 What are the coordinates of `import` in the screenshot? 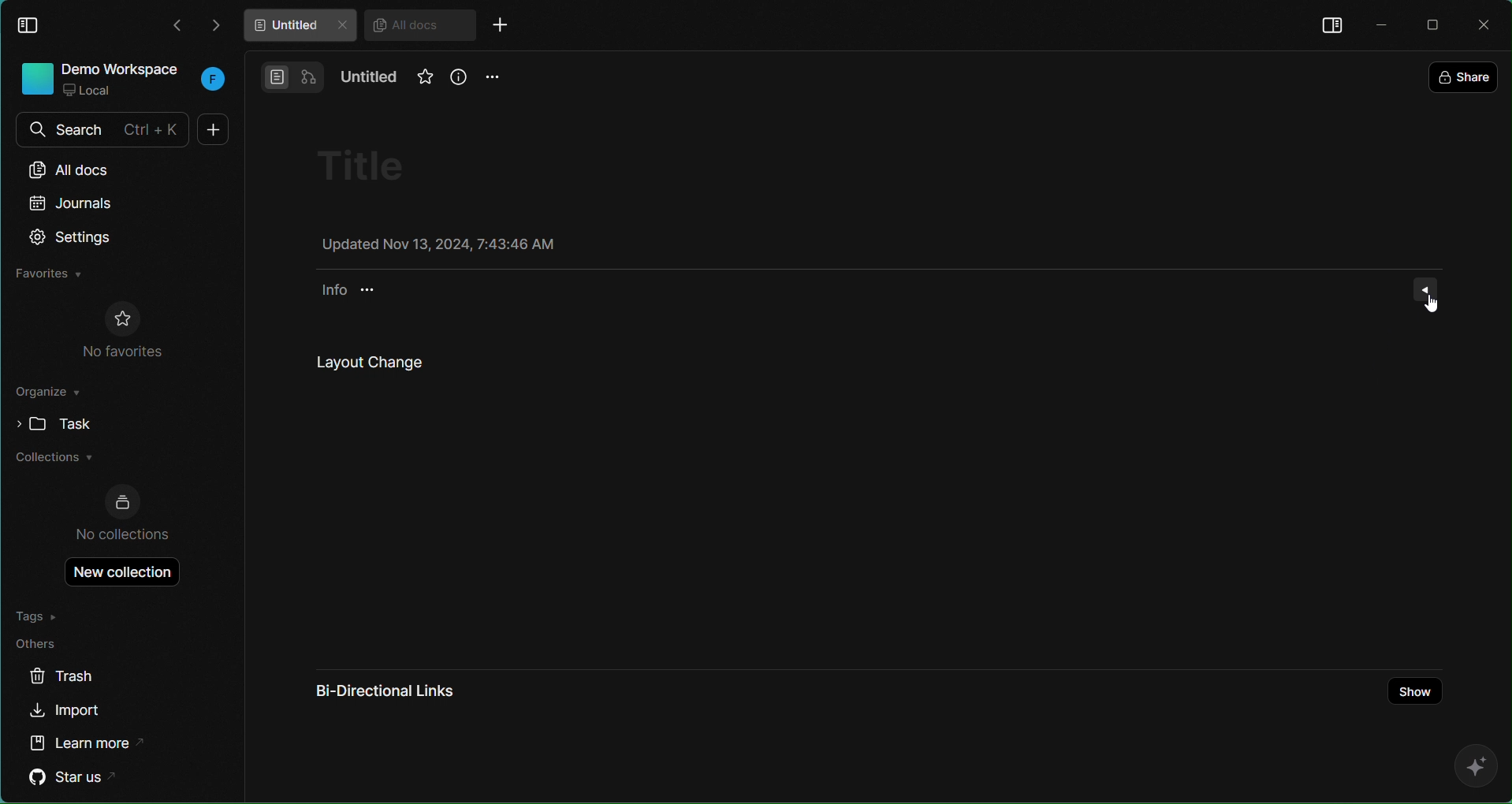 It's located at (67, 712).